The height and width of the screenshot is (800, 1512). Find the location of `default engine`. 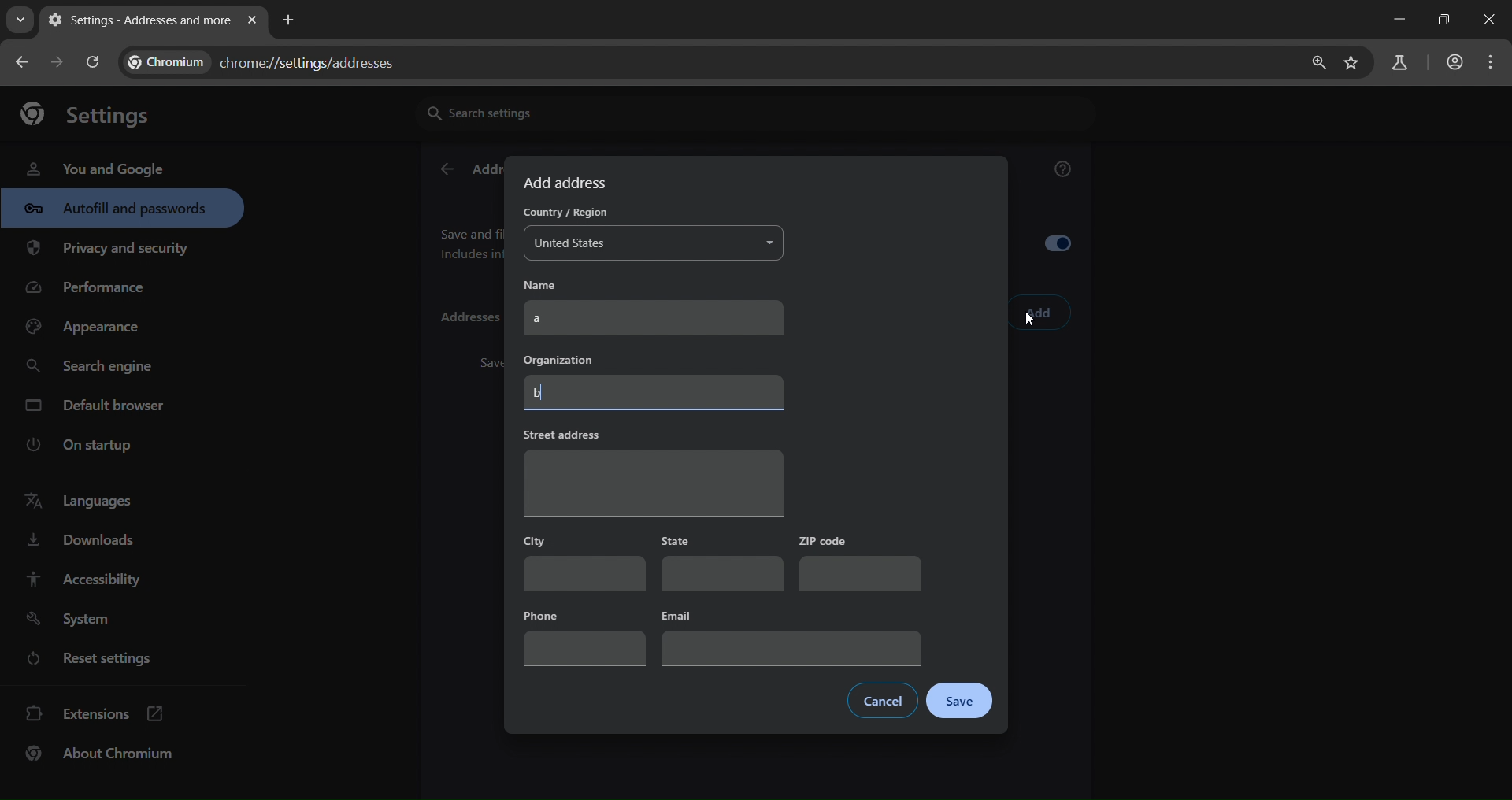

default engine is located at coordinates (98, 408).